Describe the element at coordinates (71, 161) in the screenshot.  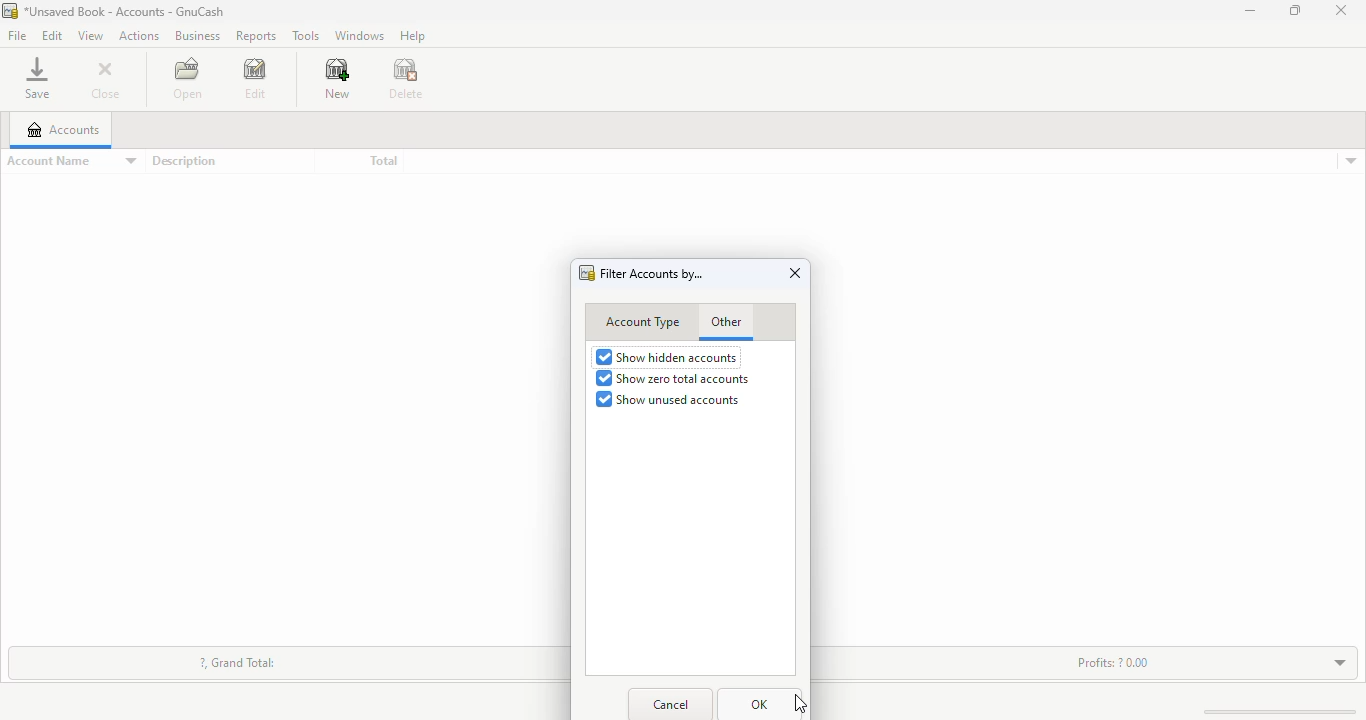
I see `account name` at that location.